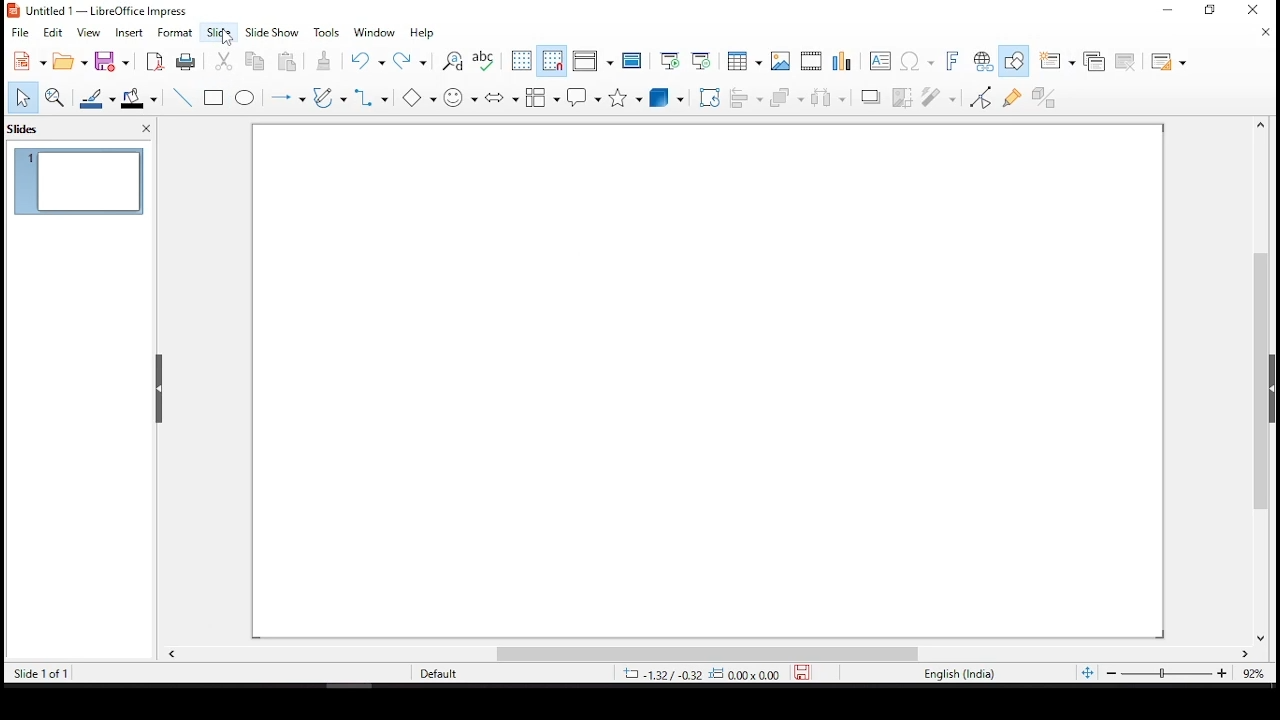 The height and width of the screenshot is (720, 1280). What do you see at coordinates (223, 61) in the screenshot?
I see `cut` at bounding box center [223, 61].